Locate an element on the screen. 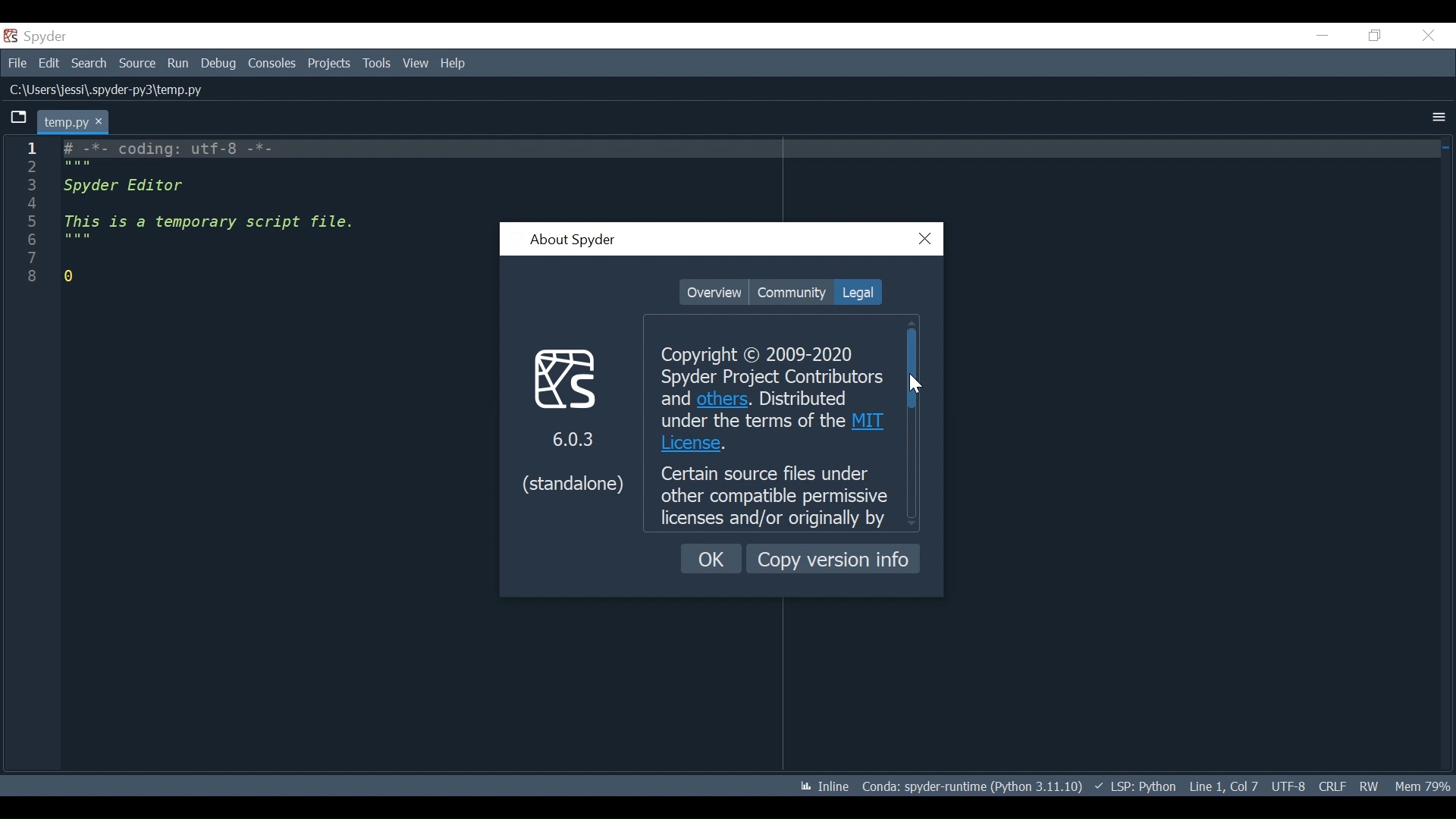 This screenshot has height=819, width=1456. Projects is located at coordinates (329, 64).